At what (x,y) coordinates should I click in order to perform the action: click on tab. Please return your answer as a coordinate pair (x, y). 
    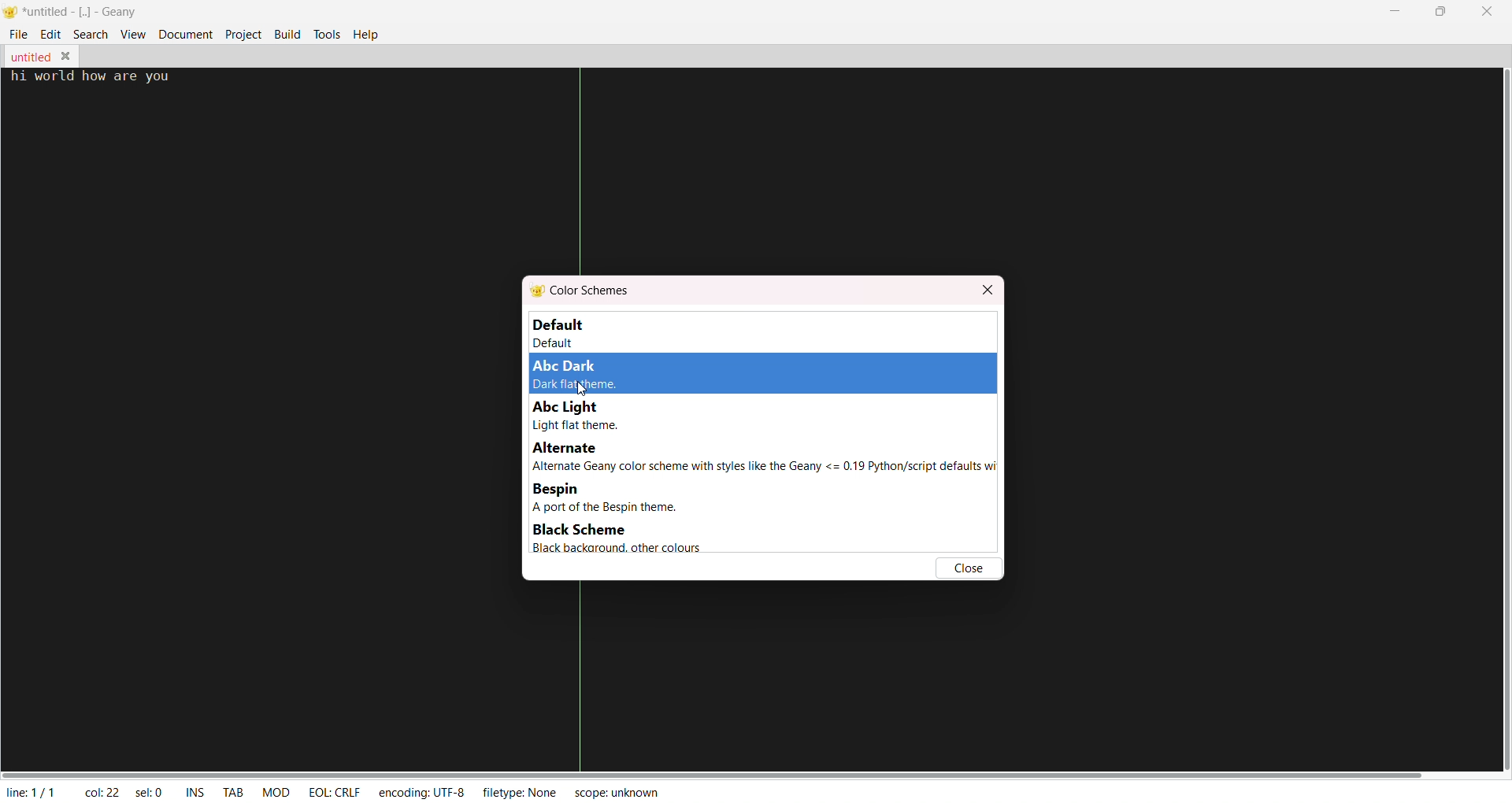
    Looking at the image, I should click on (231, 792).